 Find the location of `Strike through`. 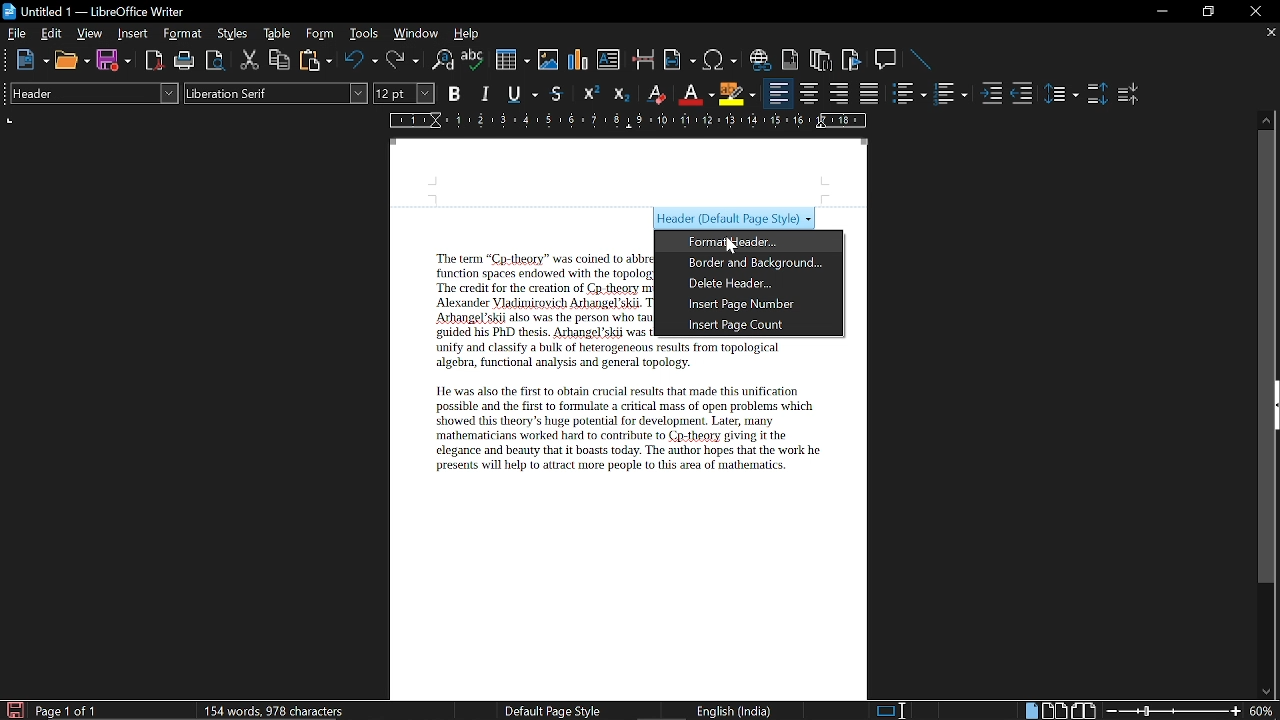

Strike through is located at coordinates (557, 93).